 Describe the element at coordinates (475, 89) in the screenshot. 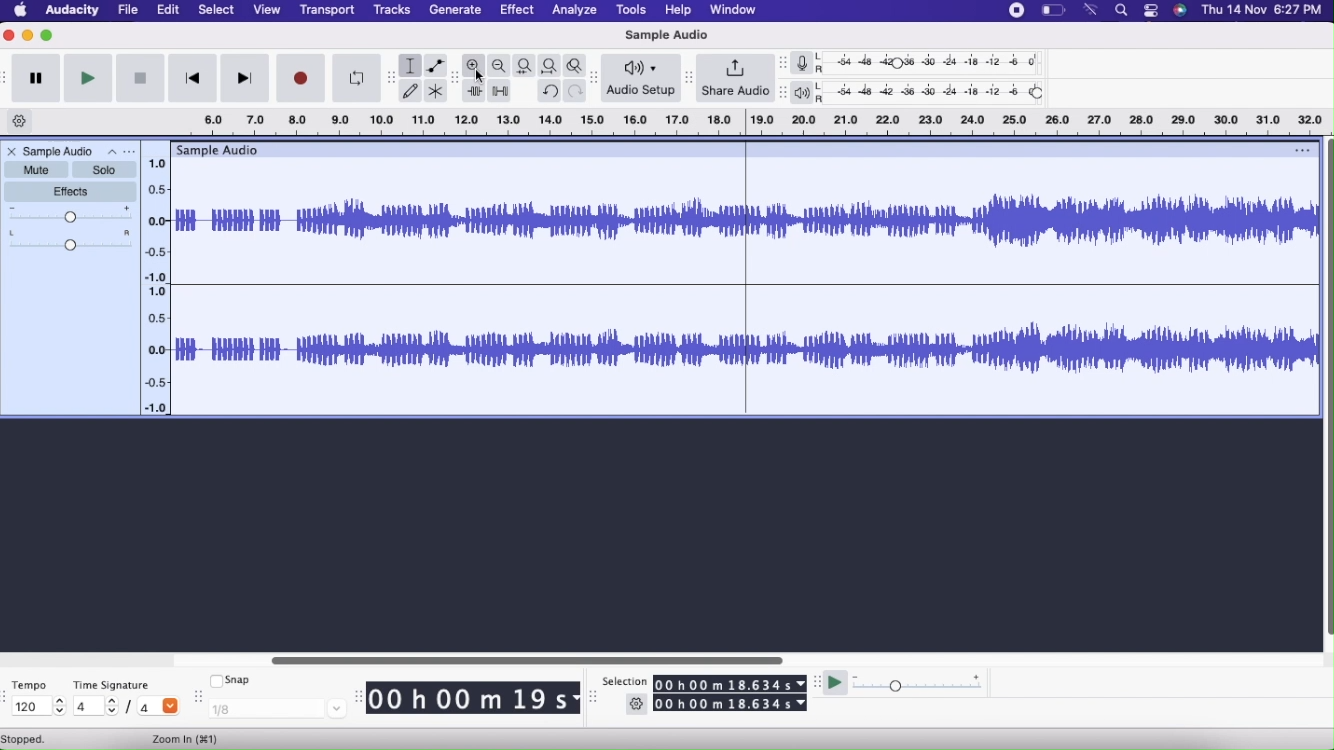

I see `Trim audio outside selection` at that location.